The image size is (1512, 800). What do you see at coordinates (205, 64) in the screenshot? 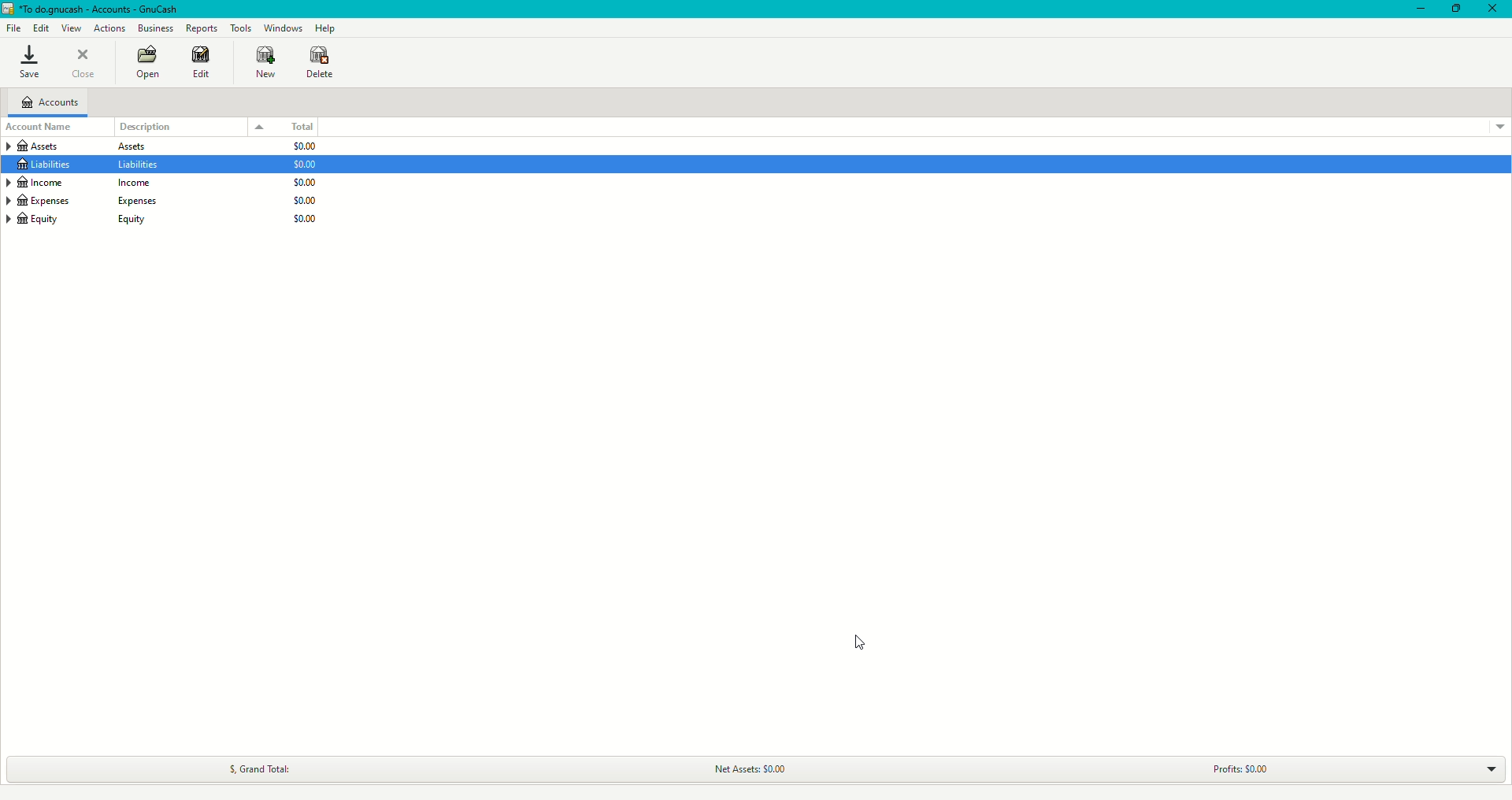
I see `Edit` at bounding box center [205, 64].